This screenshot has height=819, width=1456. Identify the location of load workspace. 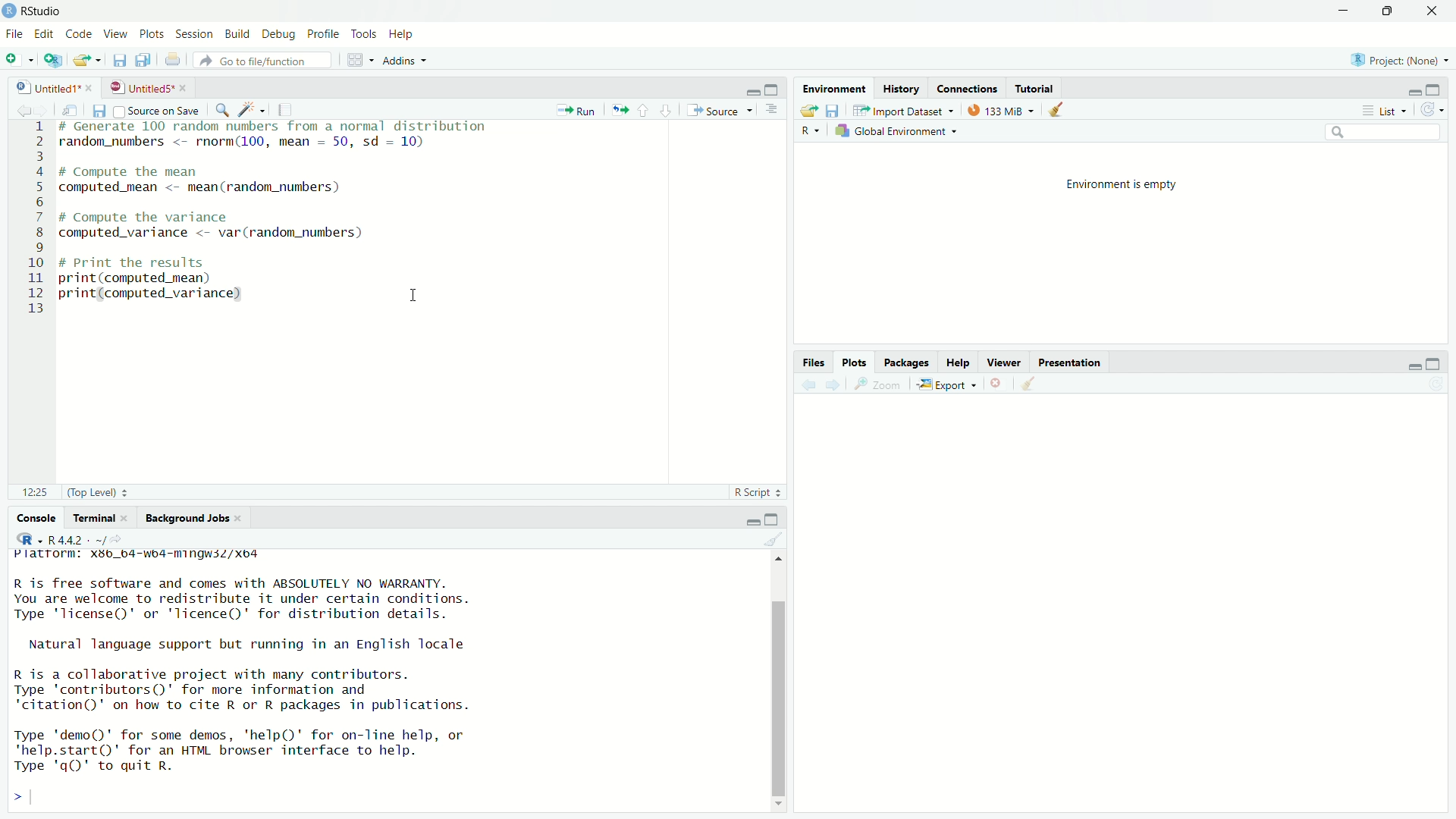
(808, 110).